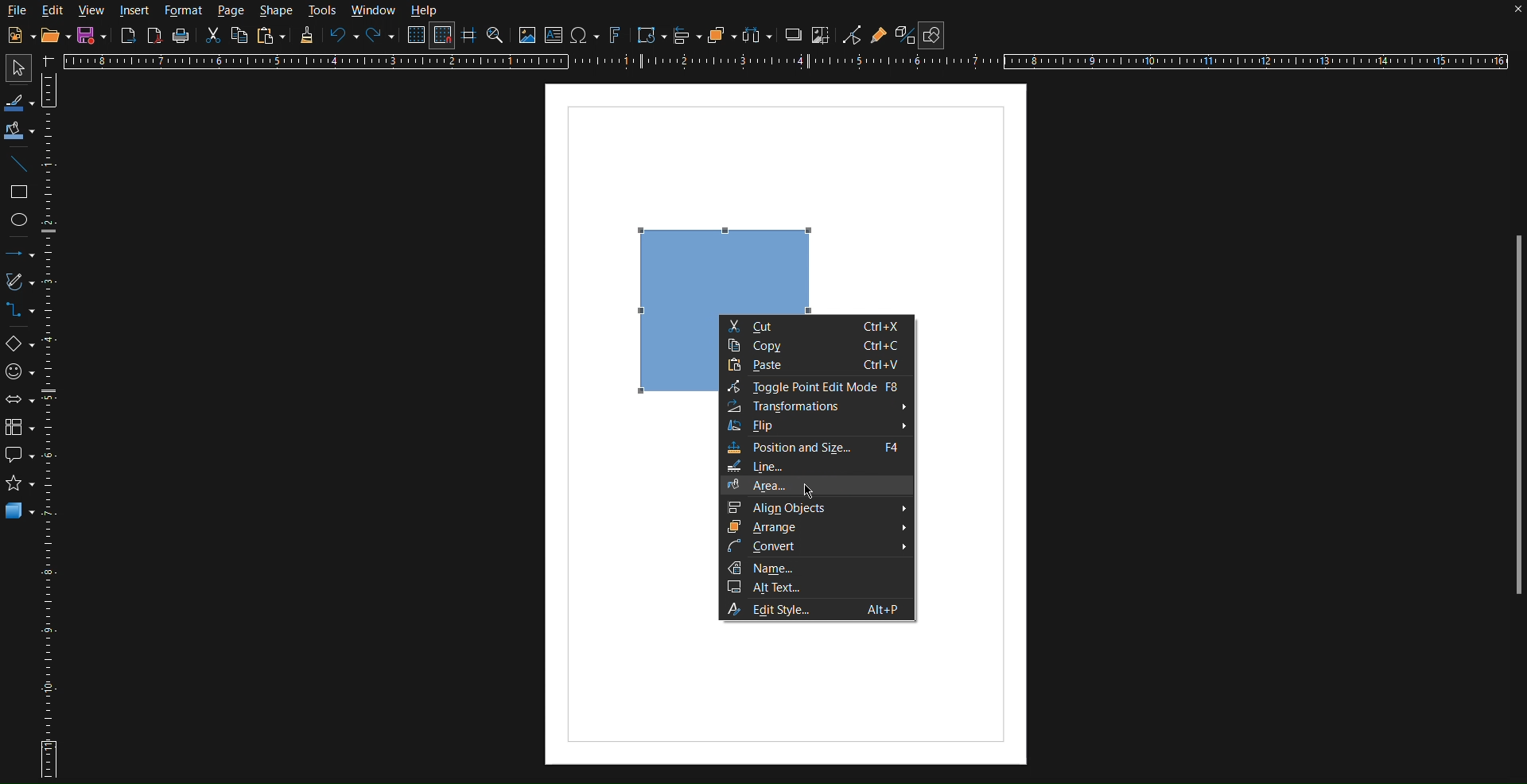 The image size is (1527, 784). What do you see at coordinates (19, 487) in the screenshot?
I see `Stars and Banners` at bounding box center [19, 487].